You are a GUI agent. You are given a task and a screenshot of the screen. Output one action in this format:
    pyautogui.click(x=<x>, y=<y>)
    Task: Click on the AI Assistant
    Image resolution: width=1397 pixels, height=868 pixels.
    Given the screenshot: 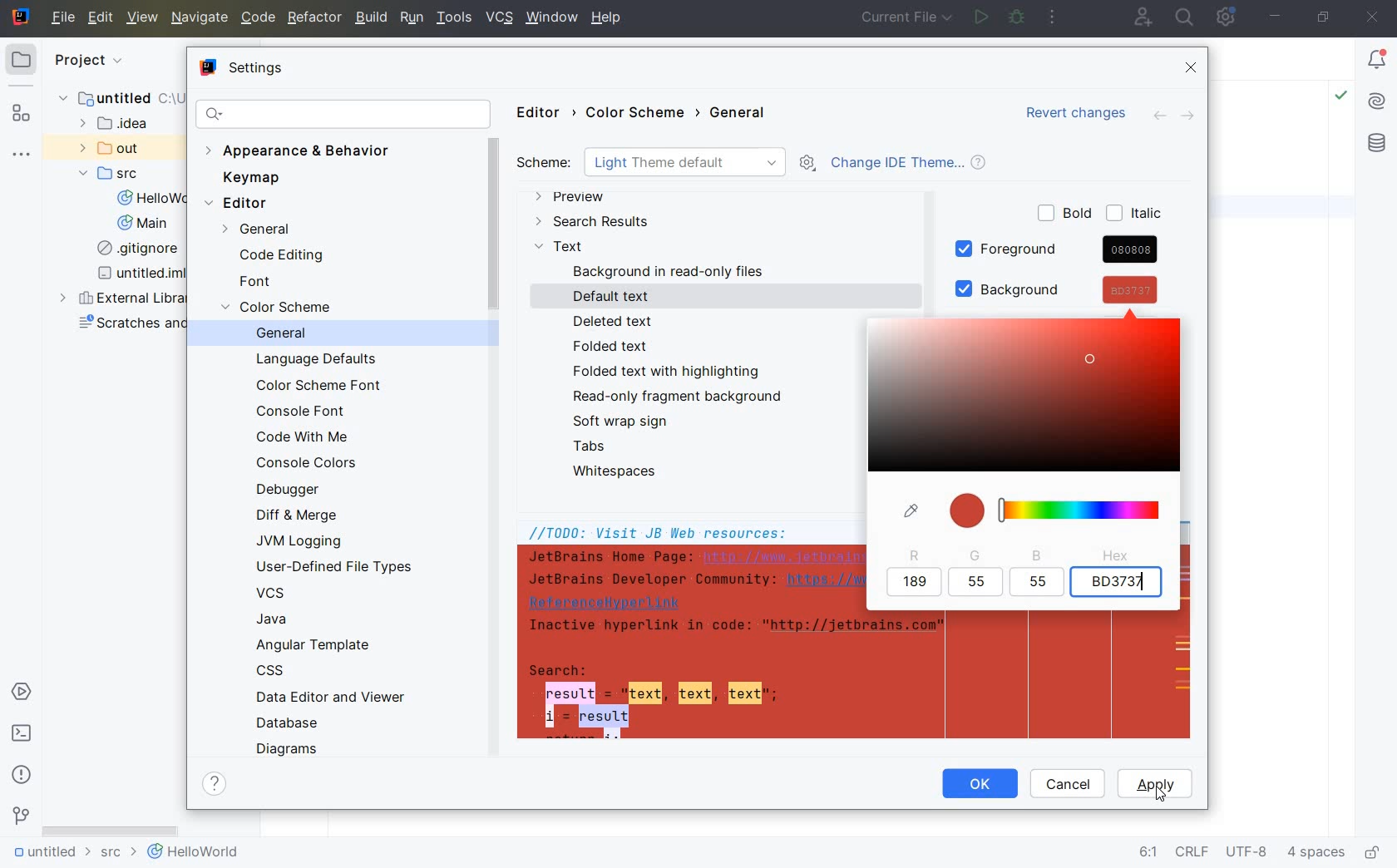 What is the action you would take?
    pyautogui.click(x=1377, y=104)
    